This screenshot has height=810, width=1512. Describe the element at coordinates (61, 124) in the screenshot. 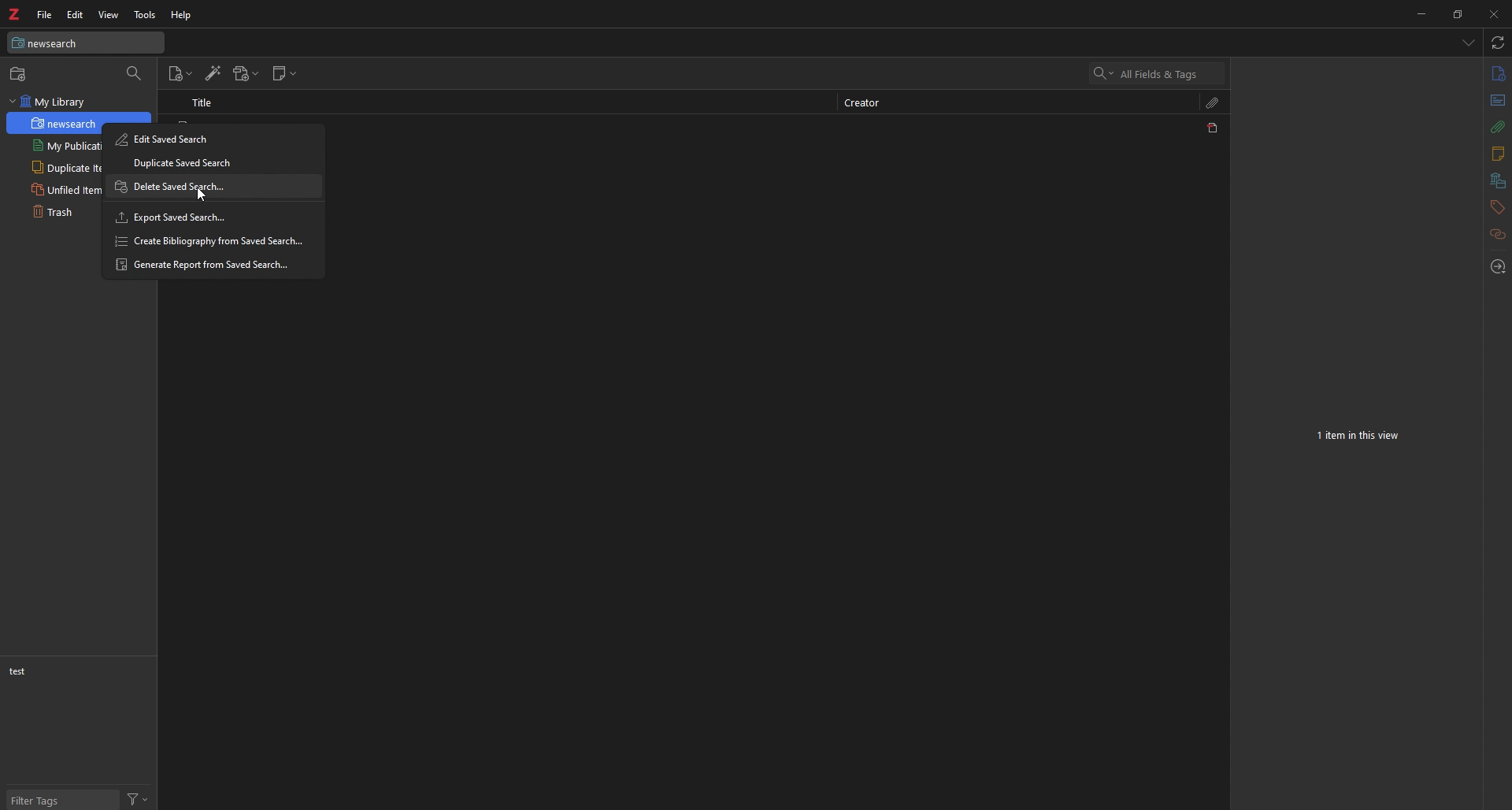

I see `newsearch` at that location.